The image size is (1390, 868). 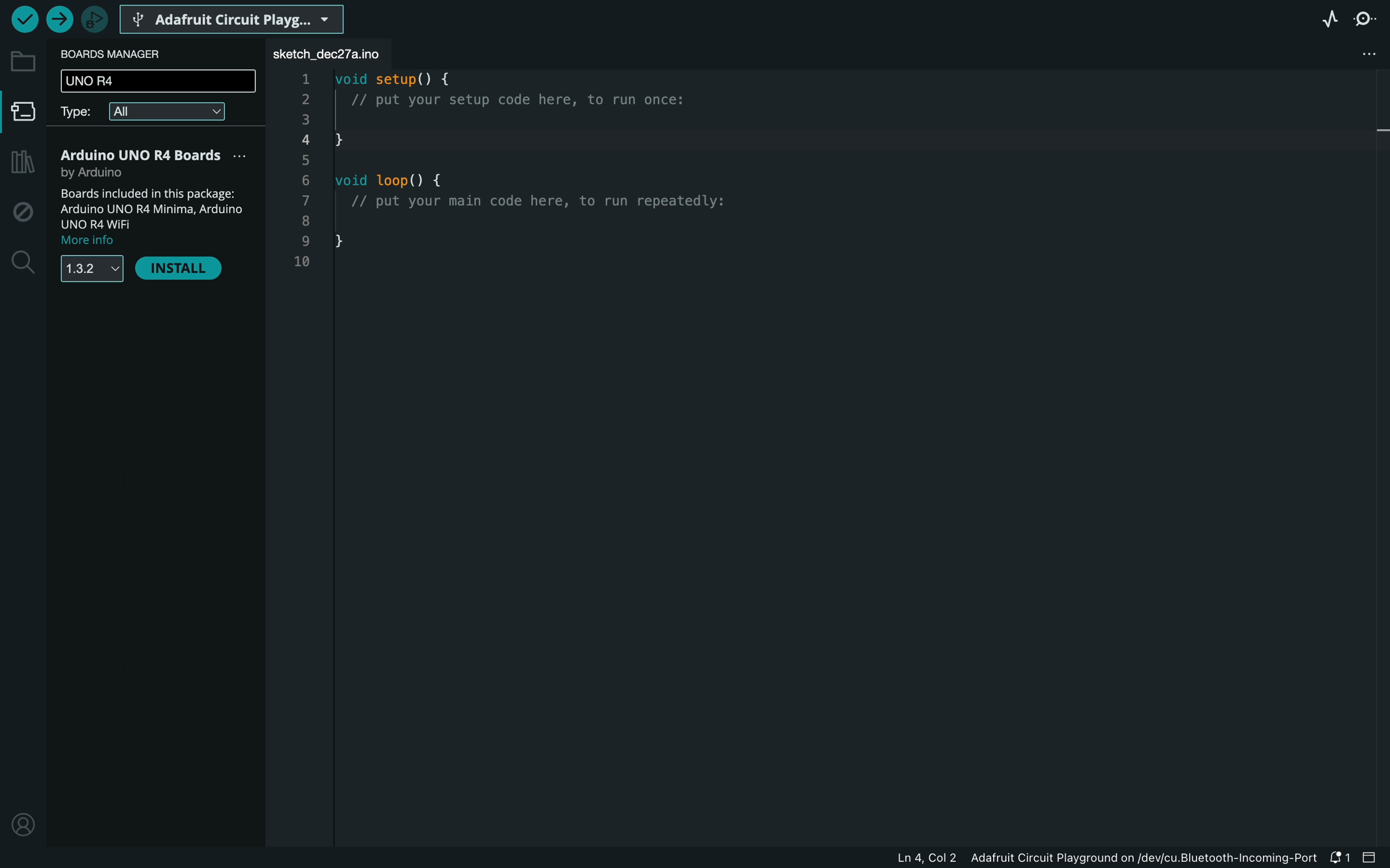 I want to click on versions, so click(x=90, y=268).